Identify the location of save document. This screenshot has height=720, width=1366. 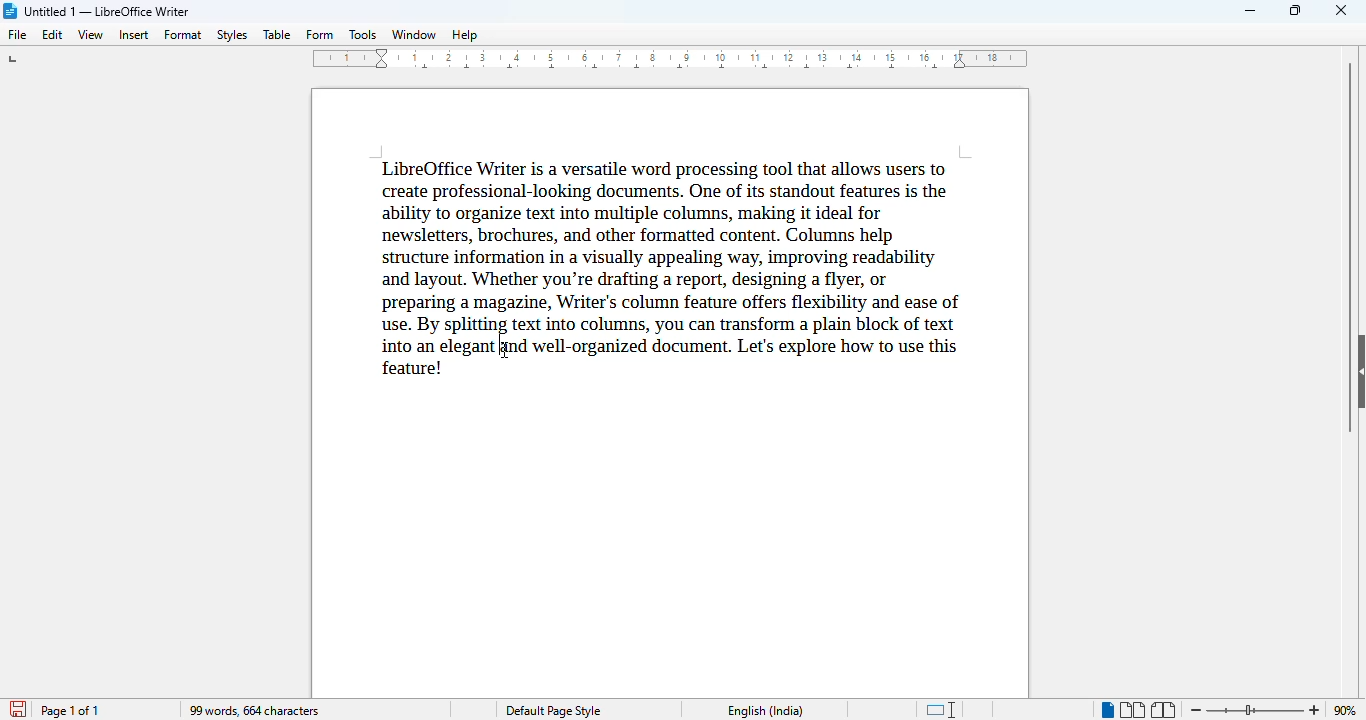
(16, 706).